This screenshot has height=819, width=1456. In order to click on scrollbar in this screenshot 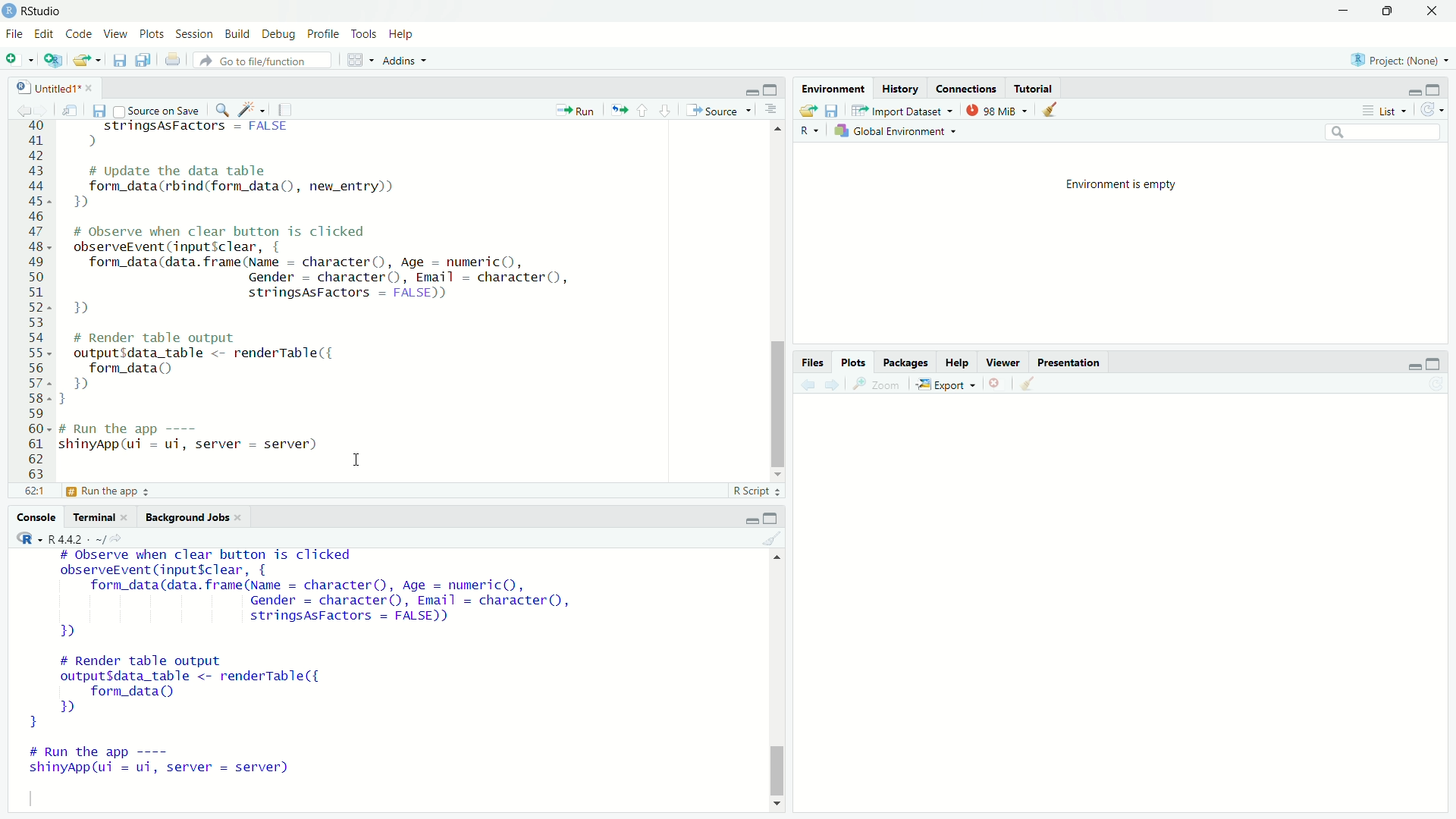, I will do `click(778, 306)`.